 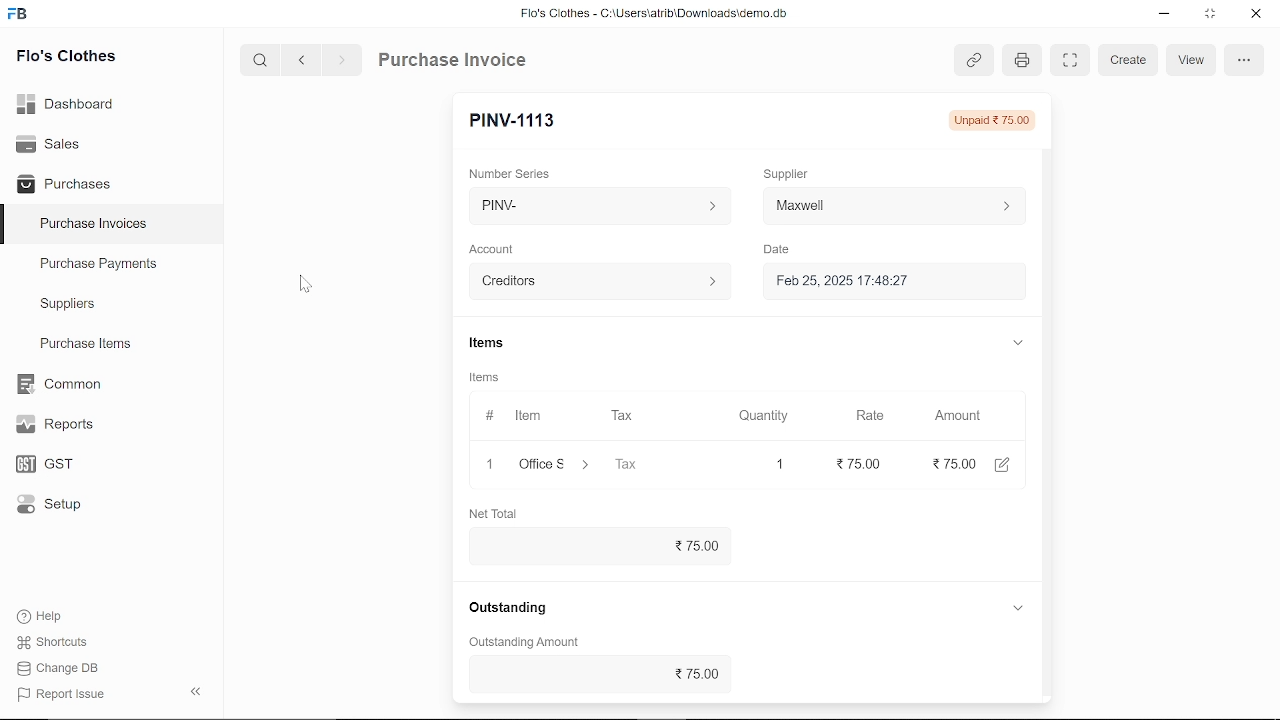 I want to click on Help, so click(x=42, y=616).